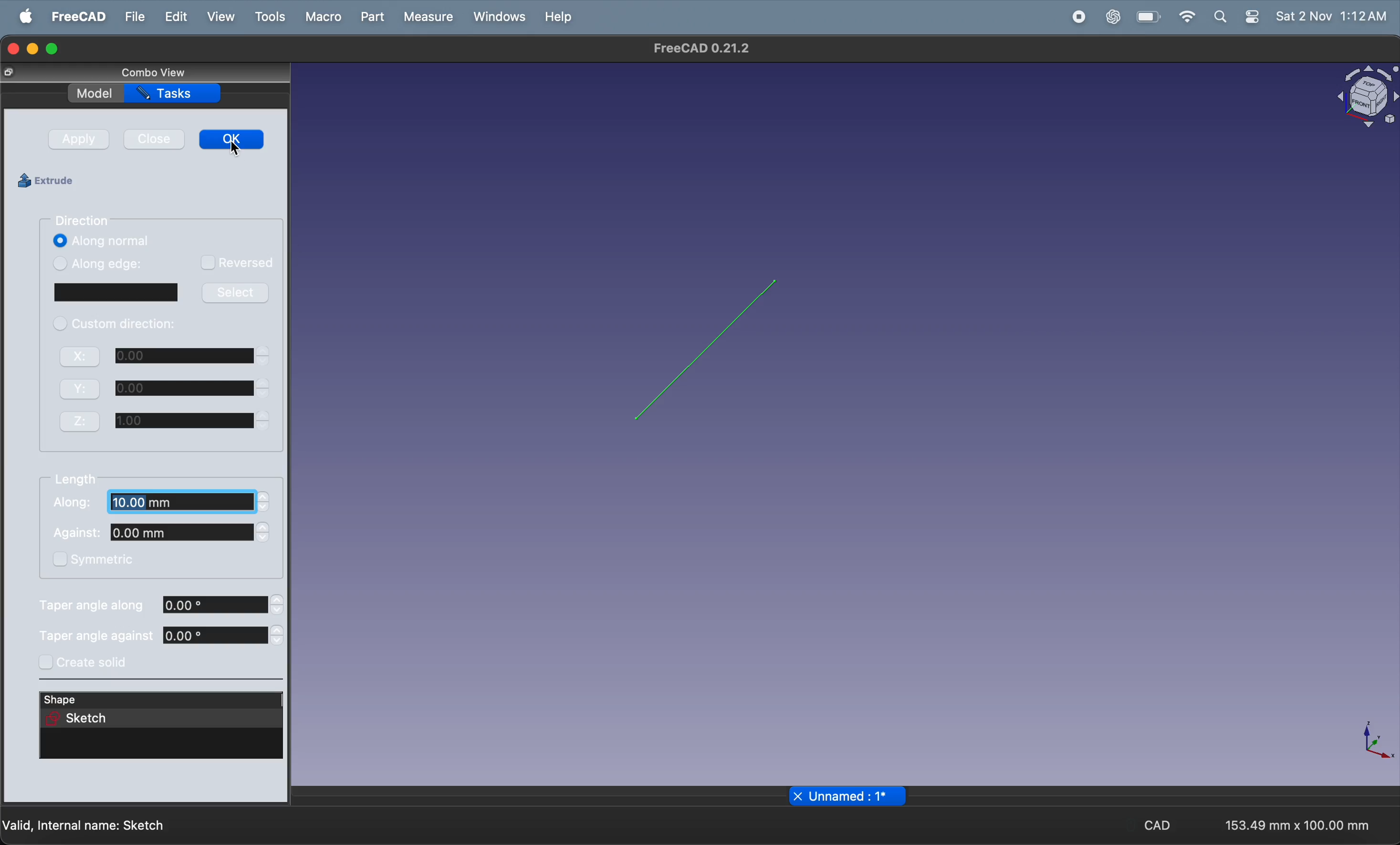  What do you see at coordinates (155, 605) in the screenshot?
I see `taper angle along  0.00` at bounding box center [155, 605].